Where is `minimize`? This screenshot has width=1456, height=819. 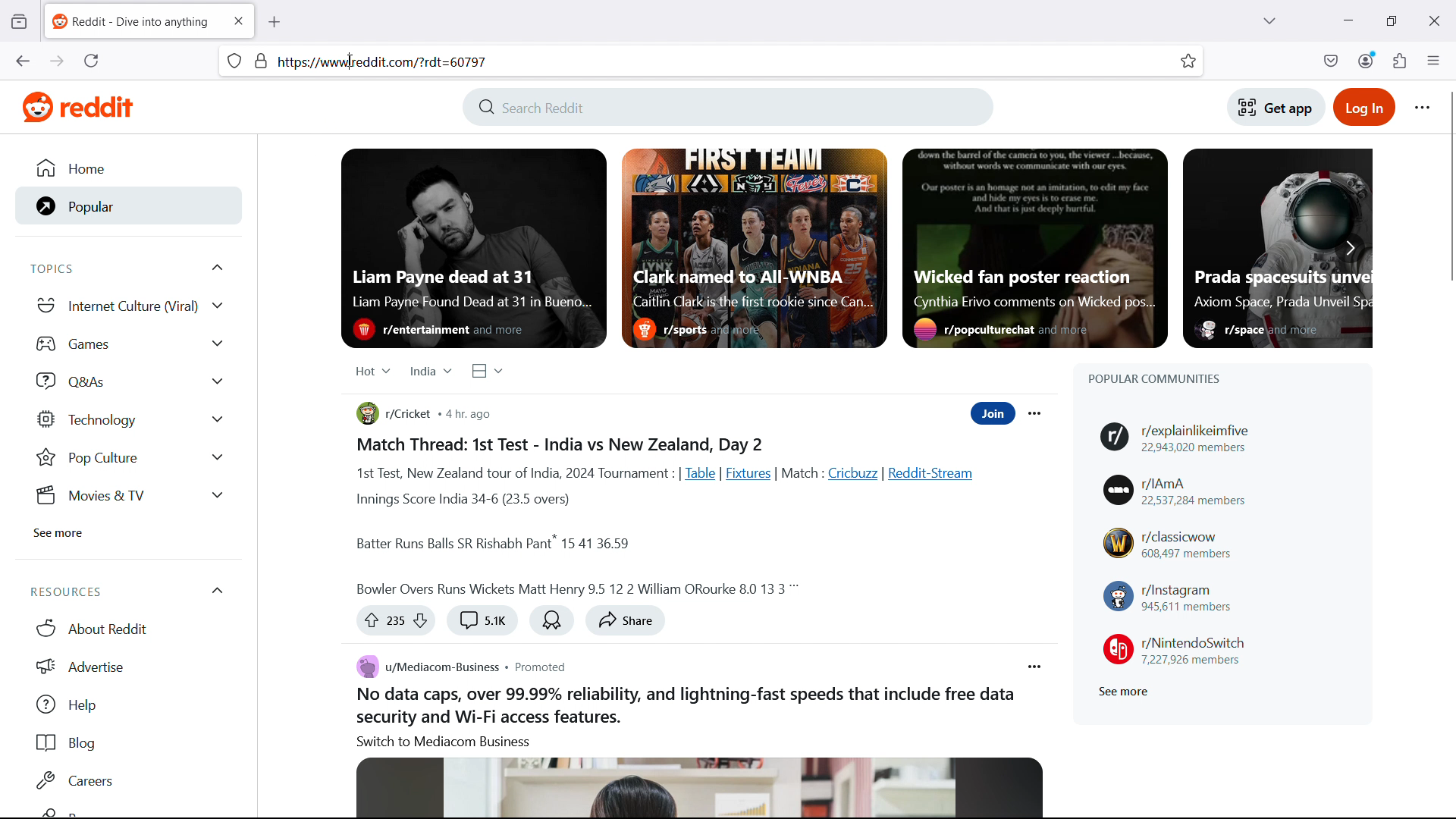 minimize is located at coordinates (1349, 19).